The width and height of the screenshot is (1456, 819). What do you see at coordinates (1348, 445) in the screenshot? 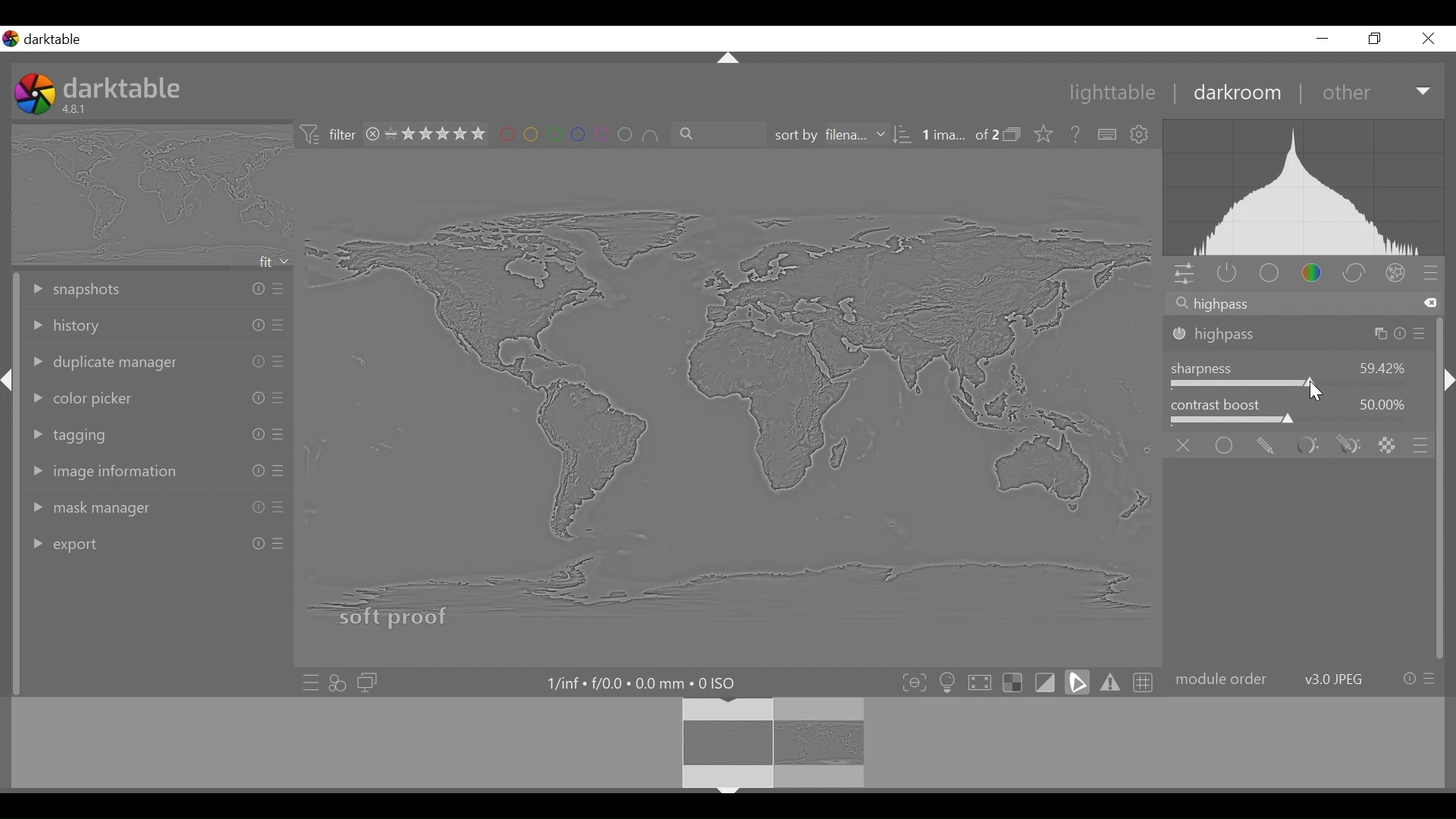
I see `drawn and parametric mask` at bounding box center [1348, 445].